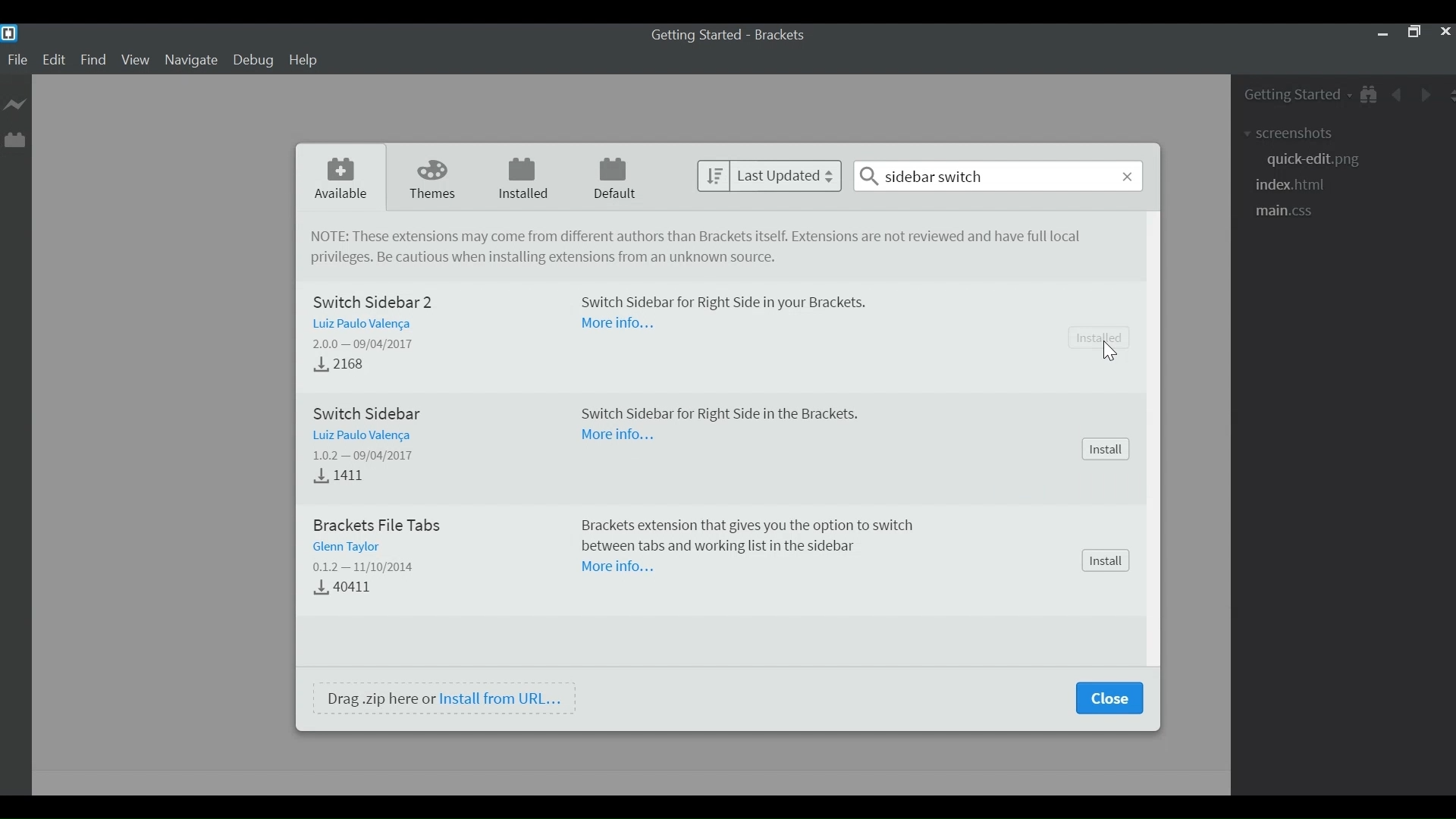 Image resolution: width=1456 pixels, height=819 pixels. Describe the element at coordinates (697, 36) in the screenshot. I see `Getting Started - Brackets` at that location.